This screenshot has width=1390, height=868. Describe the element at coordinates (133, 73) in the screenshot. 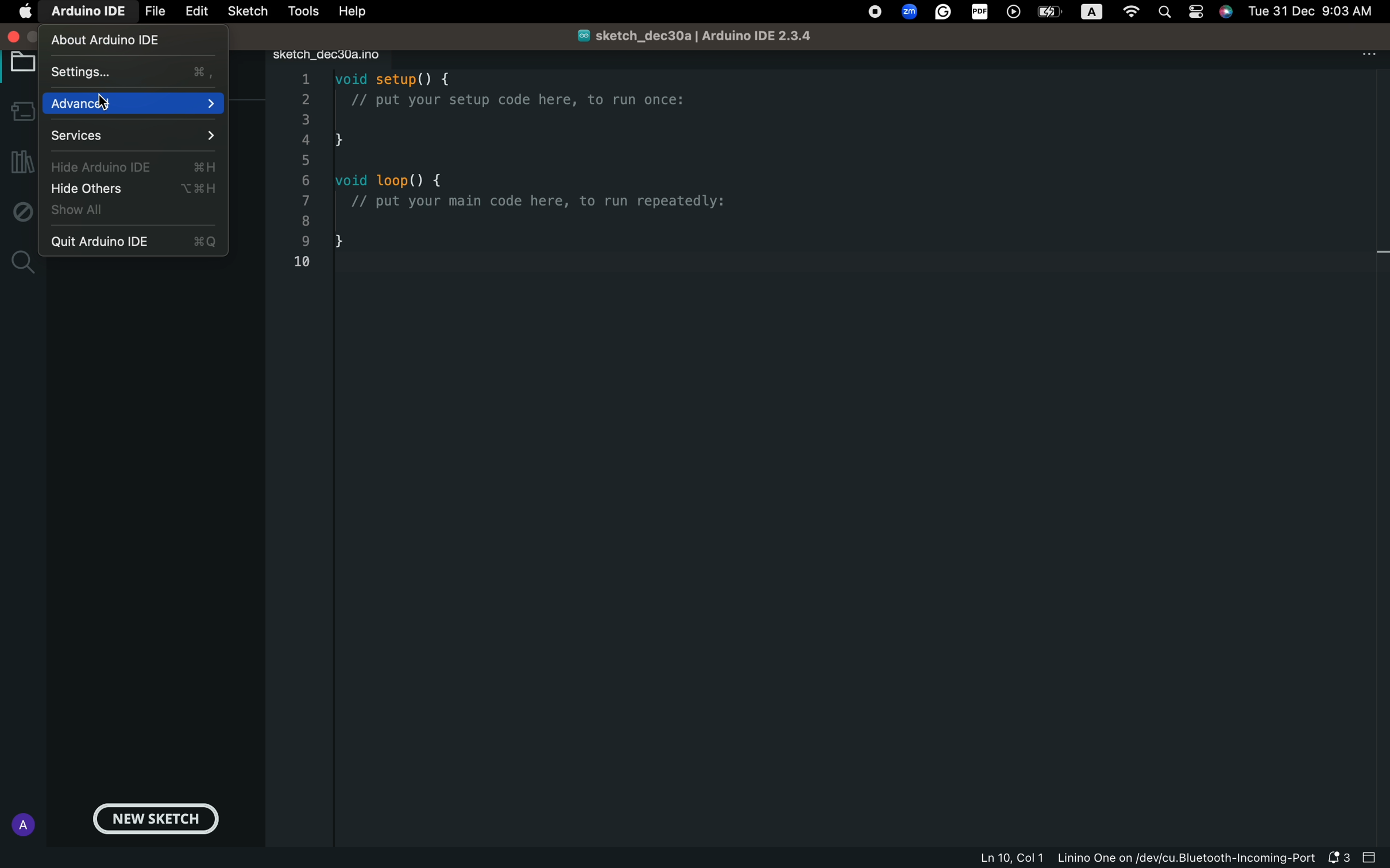

I see `Settings` at that location.